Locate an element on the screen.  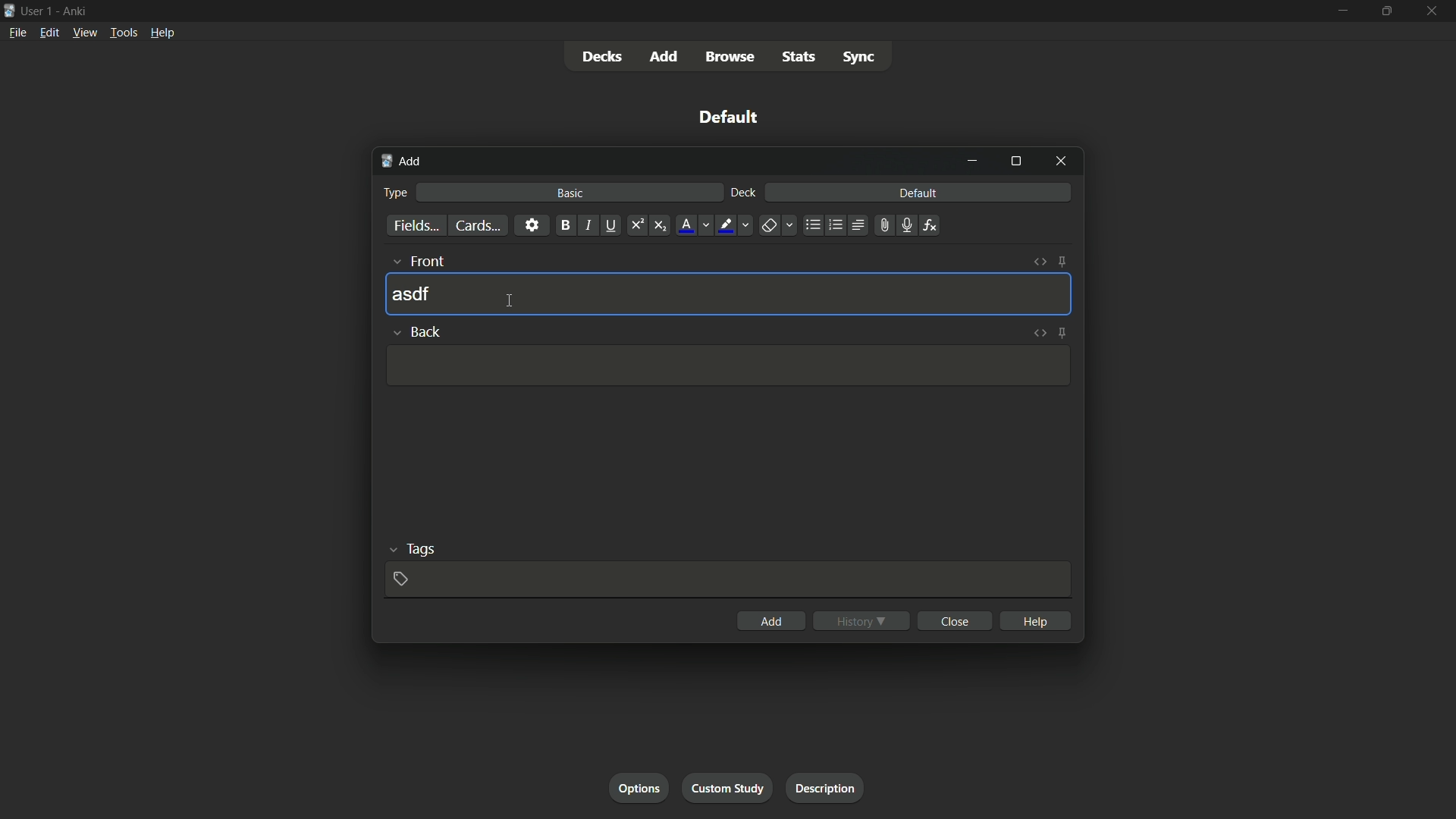
options is located at coordinates (639, 787).